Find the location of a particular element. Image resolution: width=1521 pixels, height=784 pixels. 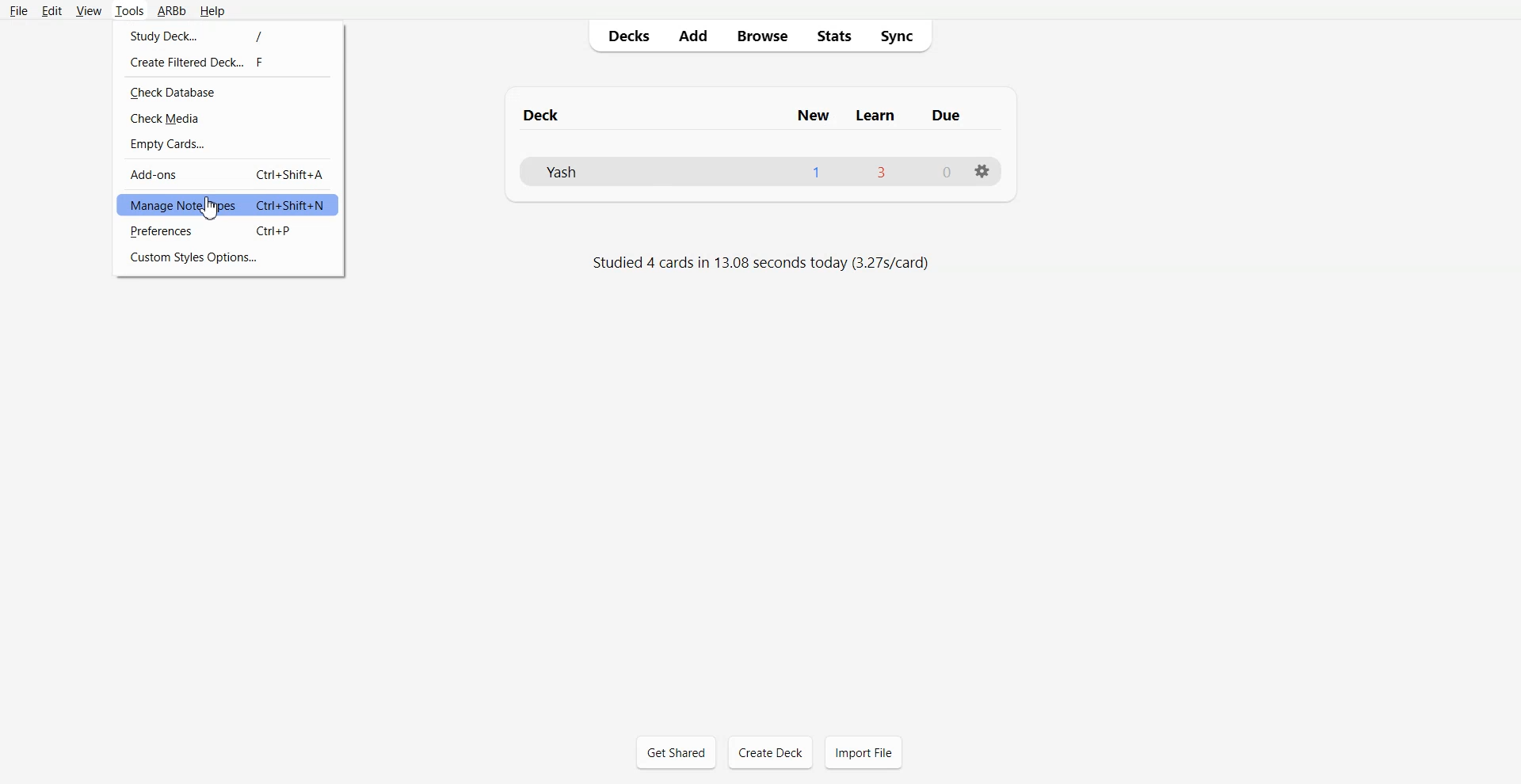

View is located at coordinates (89, 10).